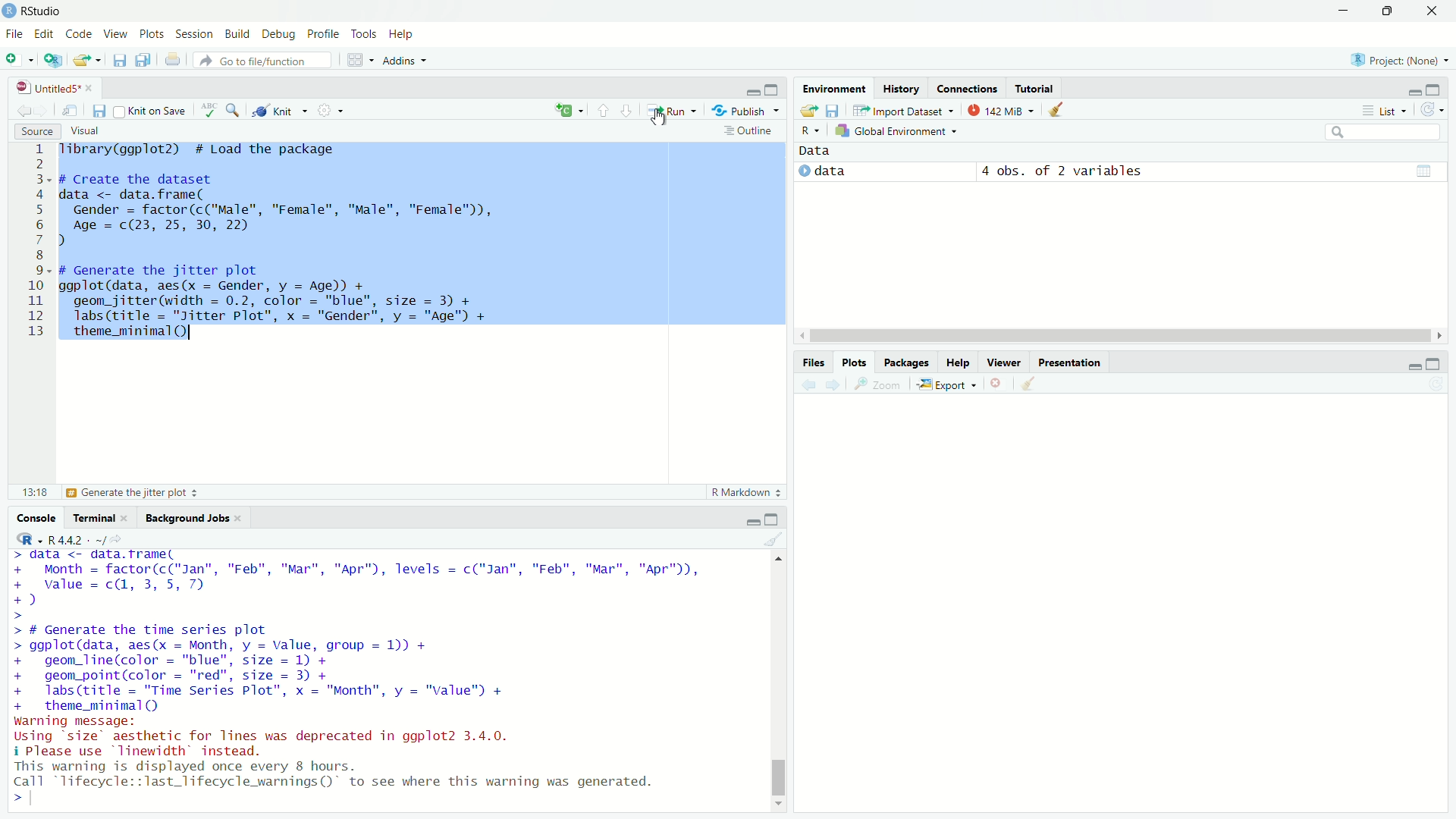  I want to click on global environment, so click(899, 132).